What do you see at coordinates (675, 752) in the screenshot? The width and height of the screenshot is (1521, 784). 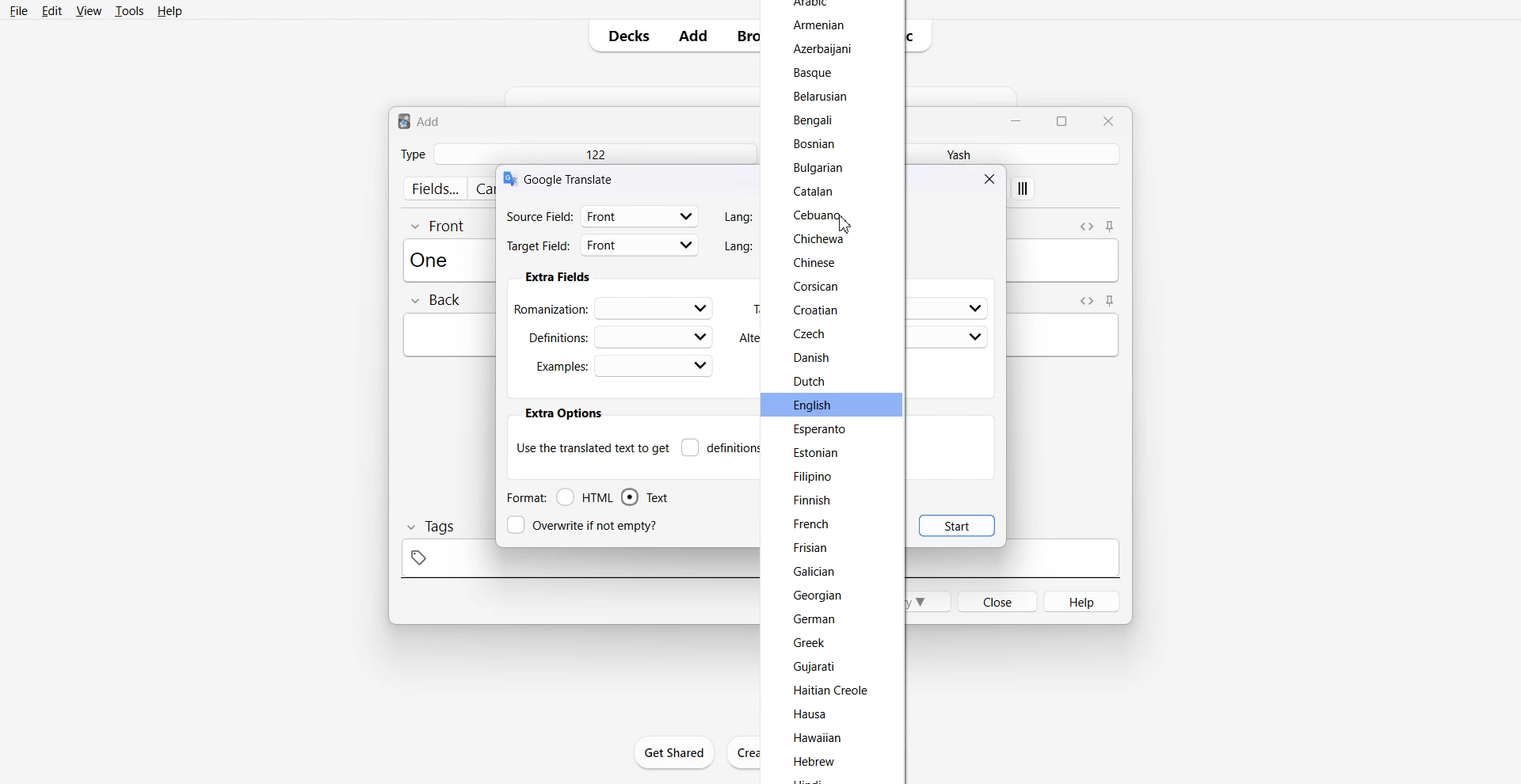 I see `Get Shared` at bounding box center [675, 752].